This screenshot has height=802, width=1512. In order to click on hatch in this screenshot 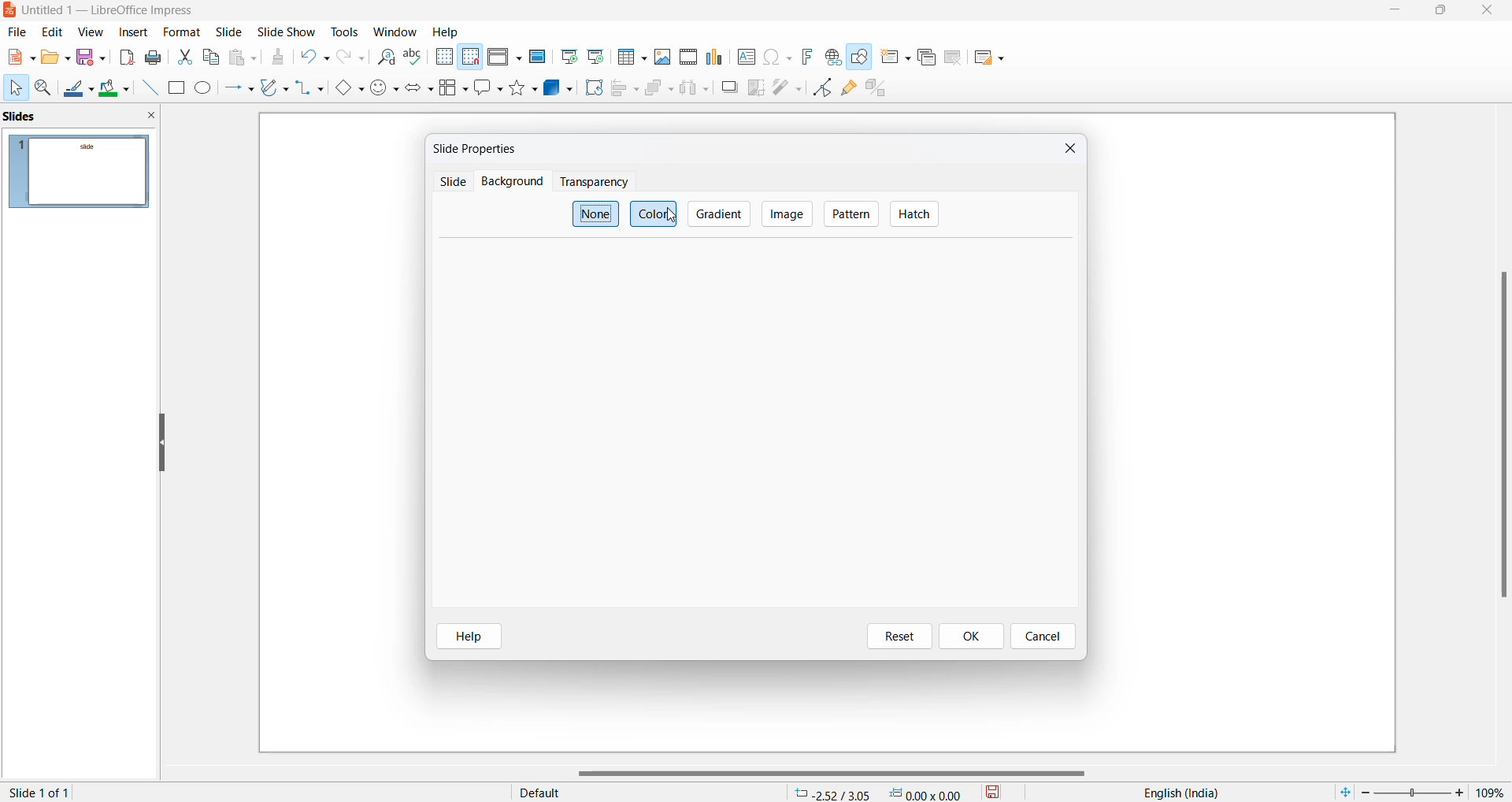, I will do `click(913, 215)`.